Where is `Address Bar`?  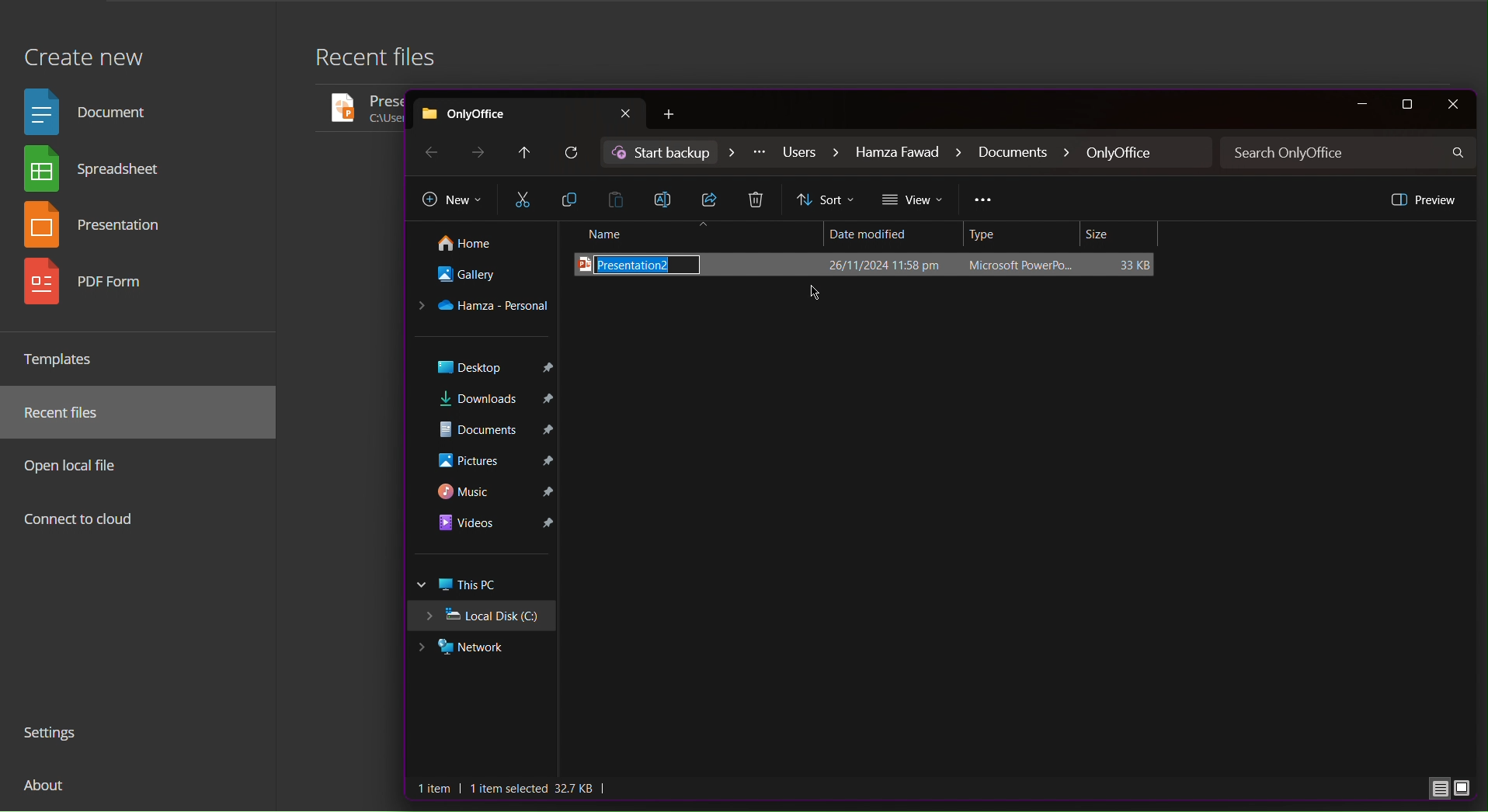 Address Bar is located at coordinates (908, 153).